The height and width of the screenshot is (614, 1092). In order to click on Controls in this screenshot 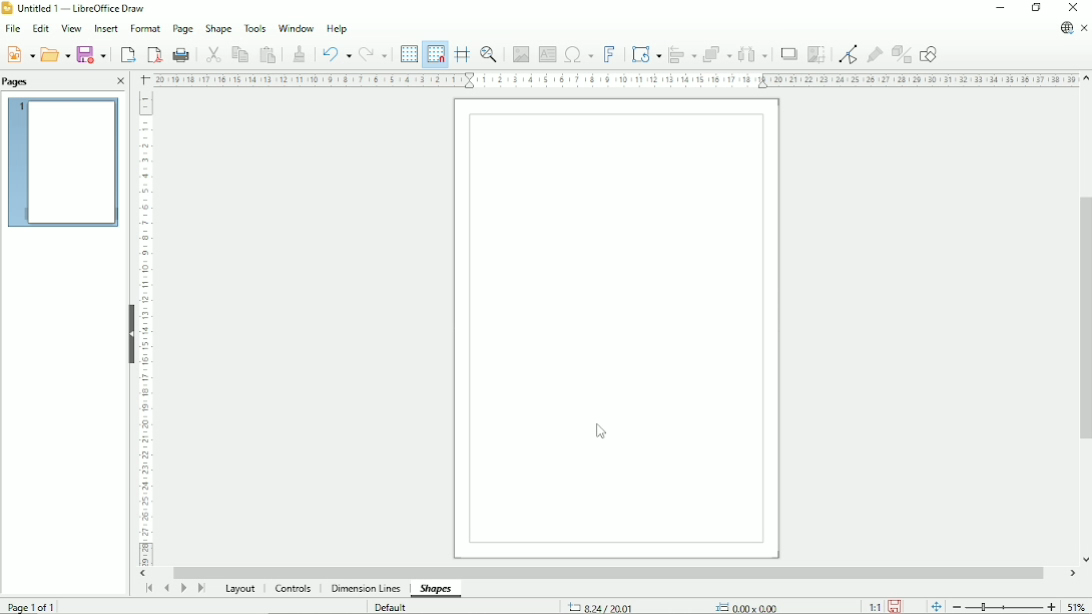, I will do `click(296, 590)`.